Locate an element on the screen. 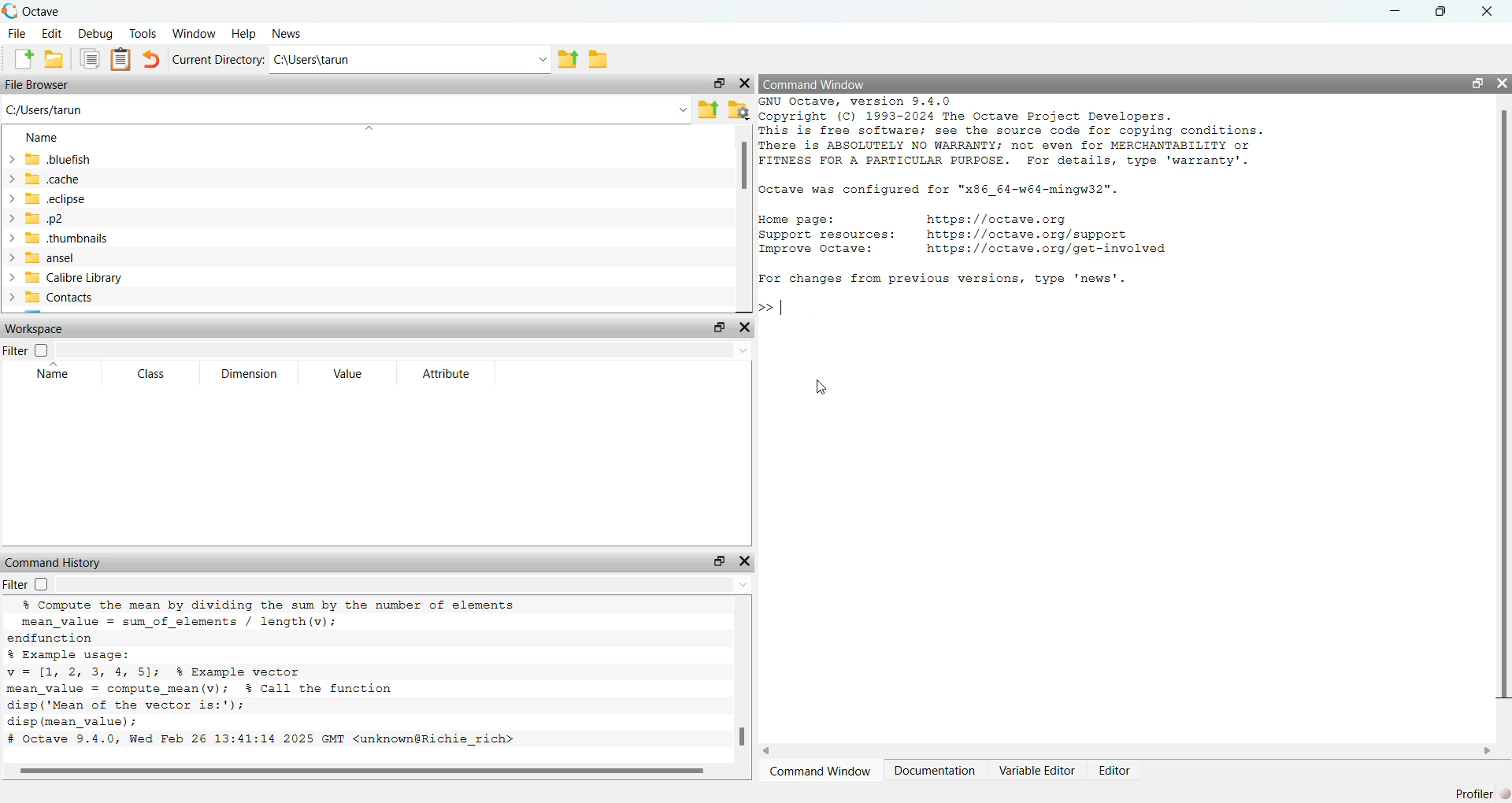 The image size is (1512, 803). Editor is located at coordinates (1114, 771).